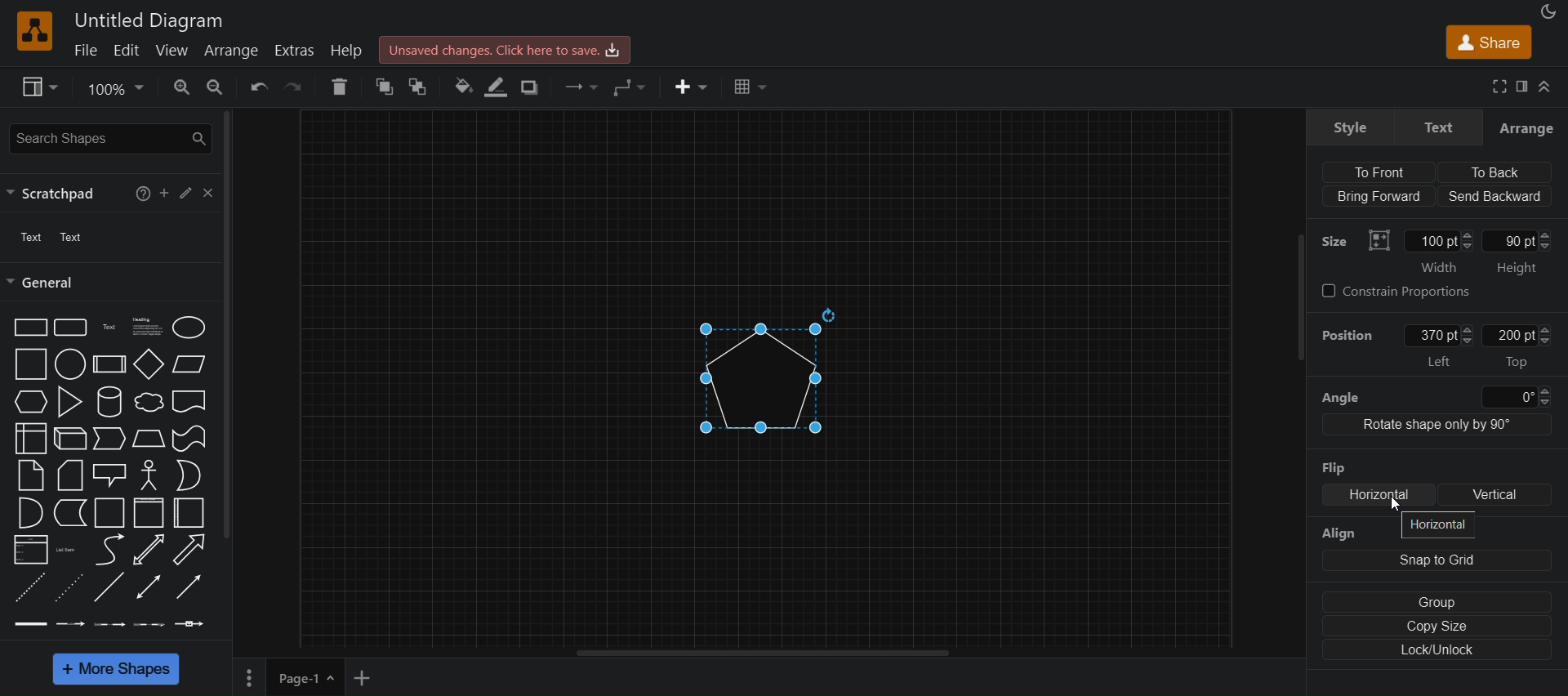 The width and height of the screenshot is (1568, 696). What do you see at coordinates (1430, 336) in the screenshot?
I see `Manually input left position` at bounding box center [1430, 336].